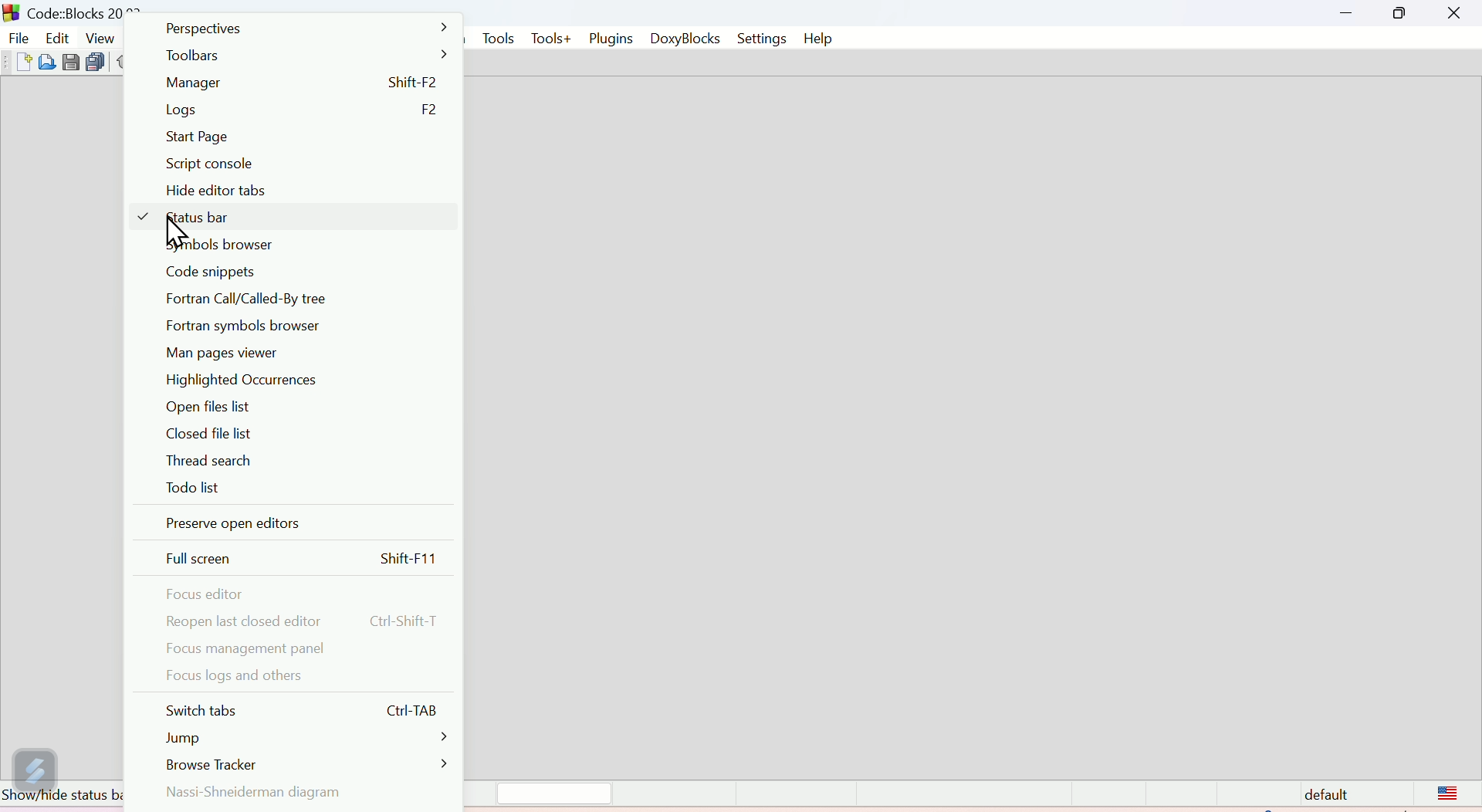  Describe the element at coordinates (299, 110) in the screenshot. I see `logs` at that location.